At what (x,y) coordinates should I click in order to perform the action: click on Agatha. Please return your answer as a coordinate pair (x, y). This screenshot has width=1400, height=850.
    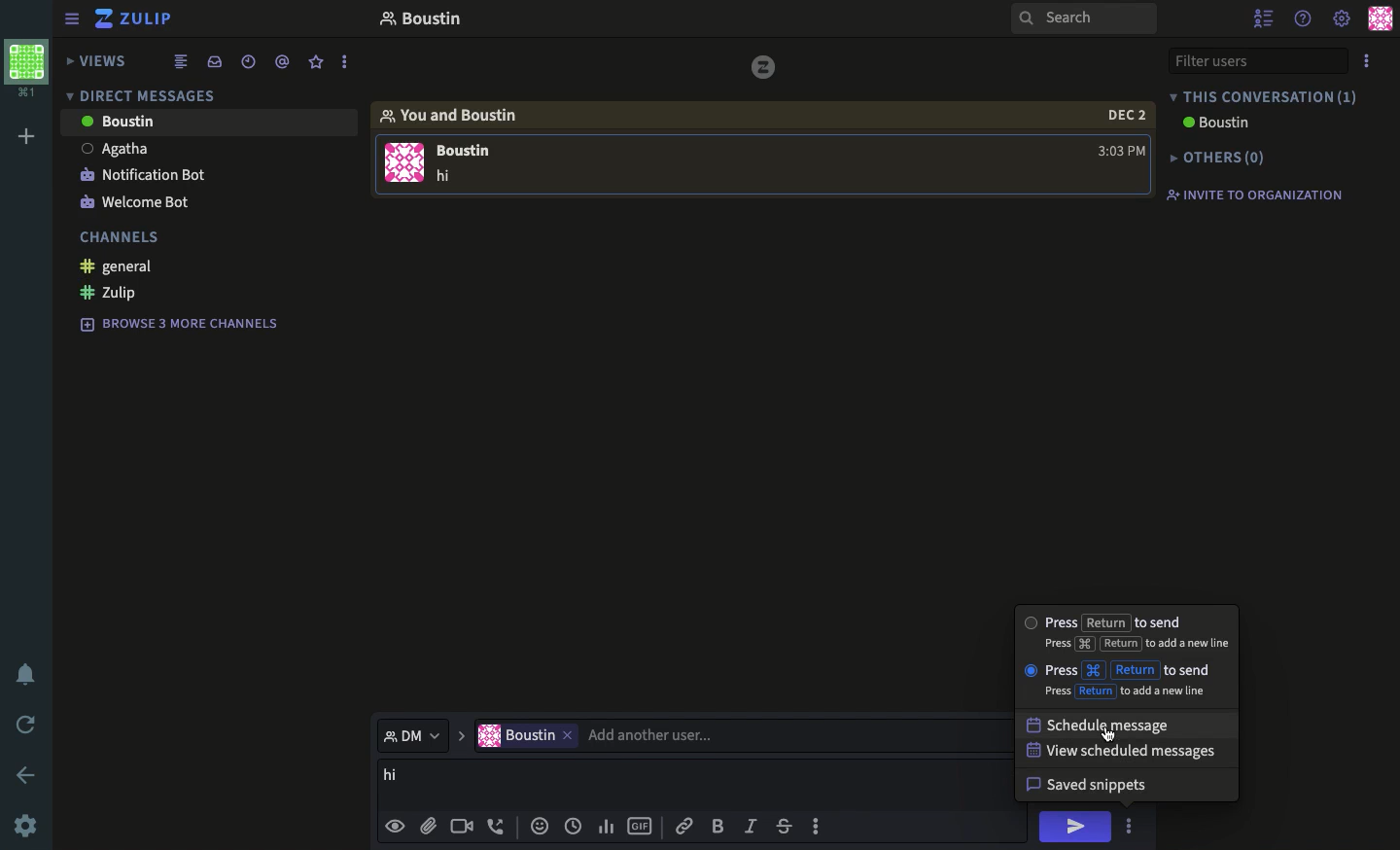
    Looking at the image, I should click on (118, 150).